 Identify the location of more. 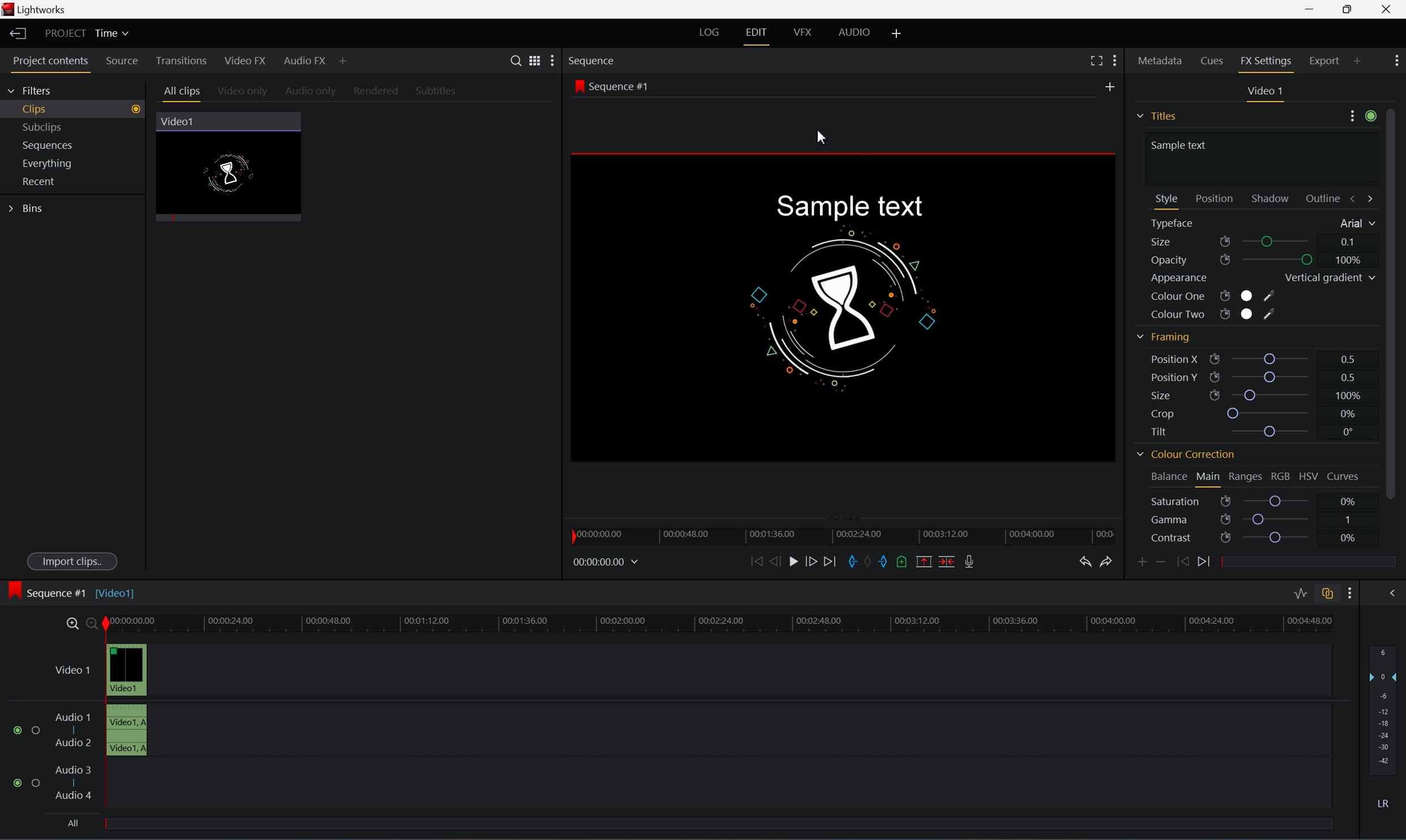
(1397, 59).